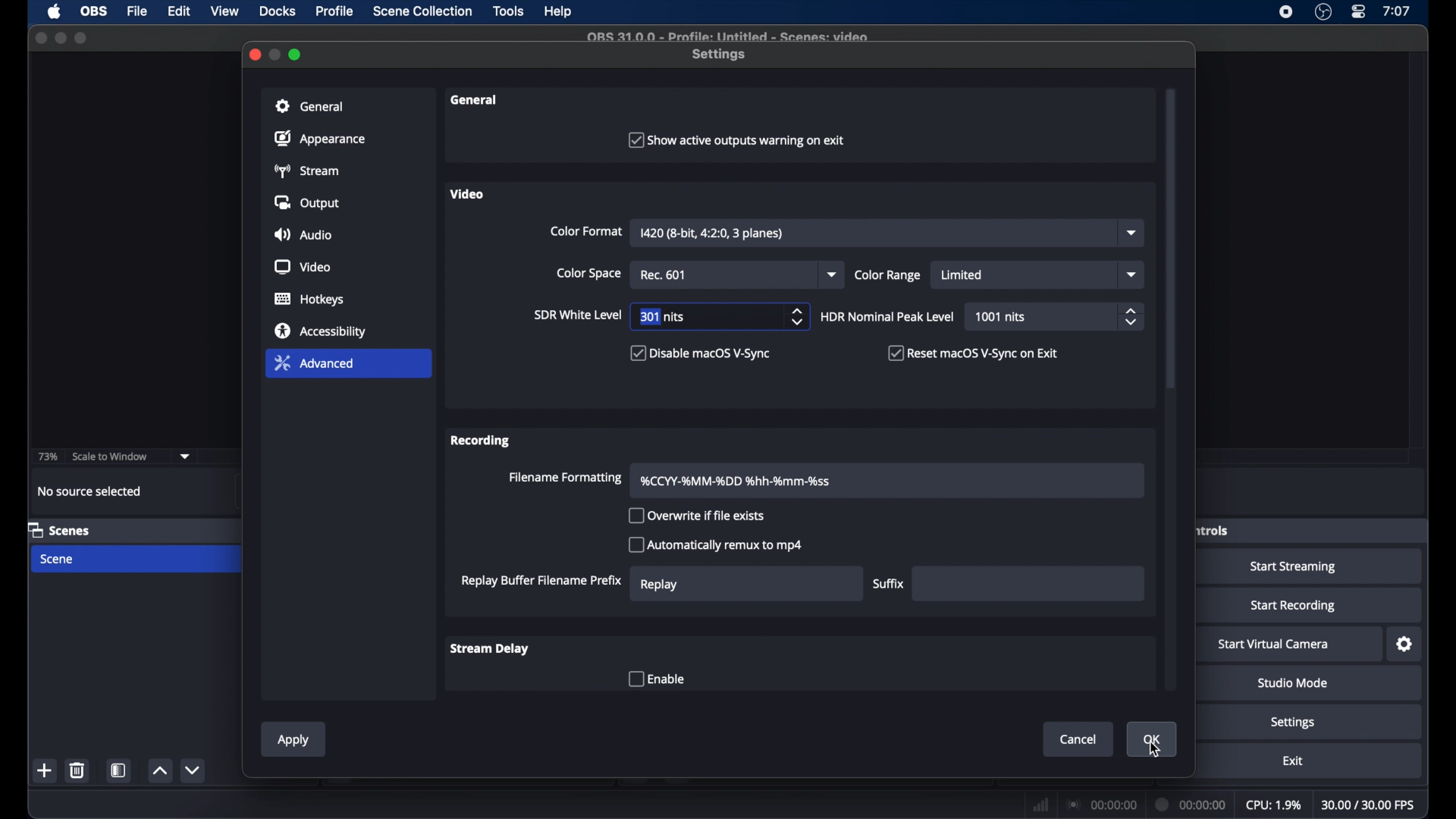  What do you see at coordinates (226, 11) in the screenshot?
I see `view` at bounding box center [226, 11].